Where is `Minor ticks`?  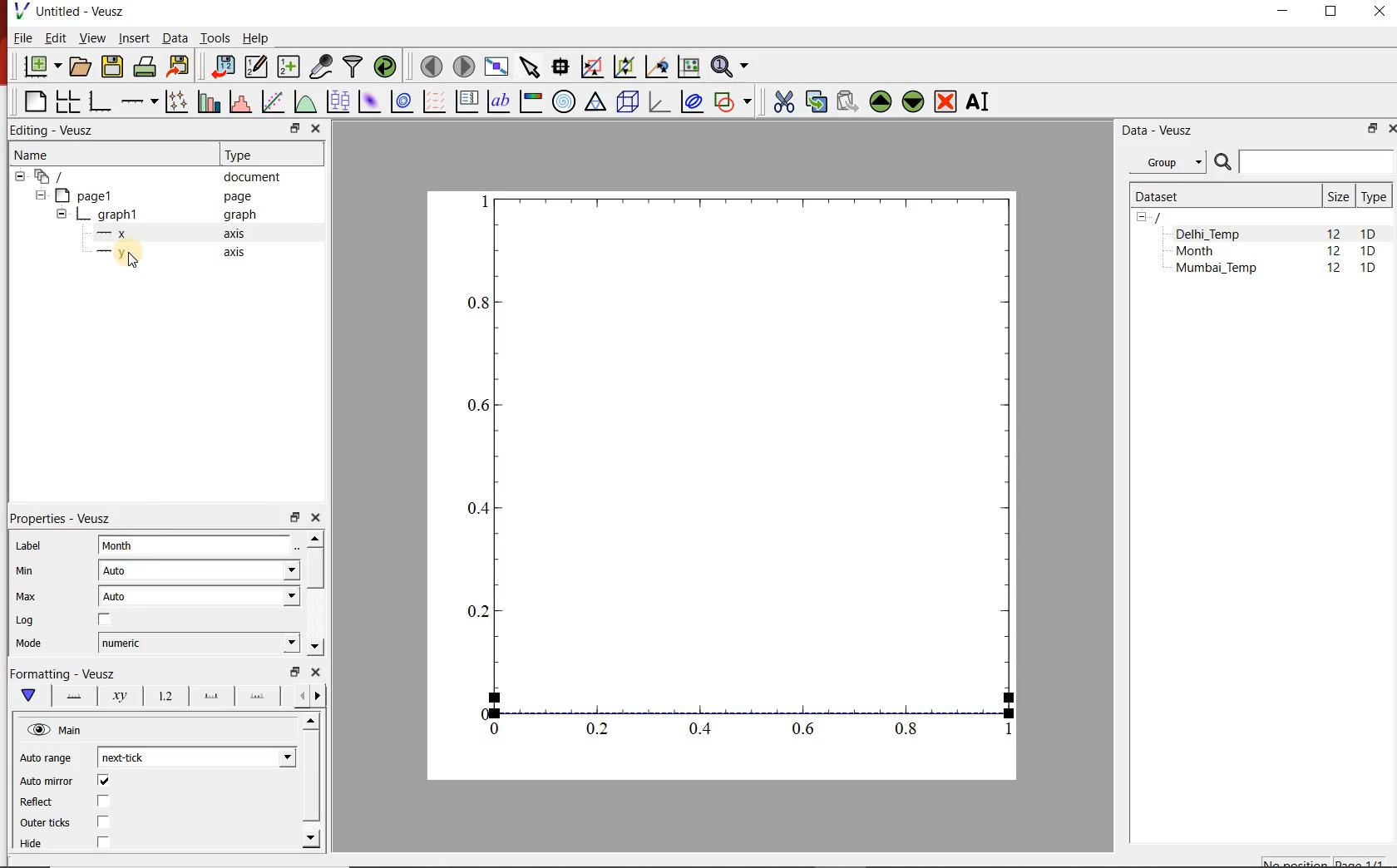
Minor ticks is located at coordinates (259, 696).